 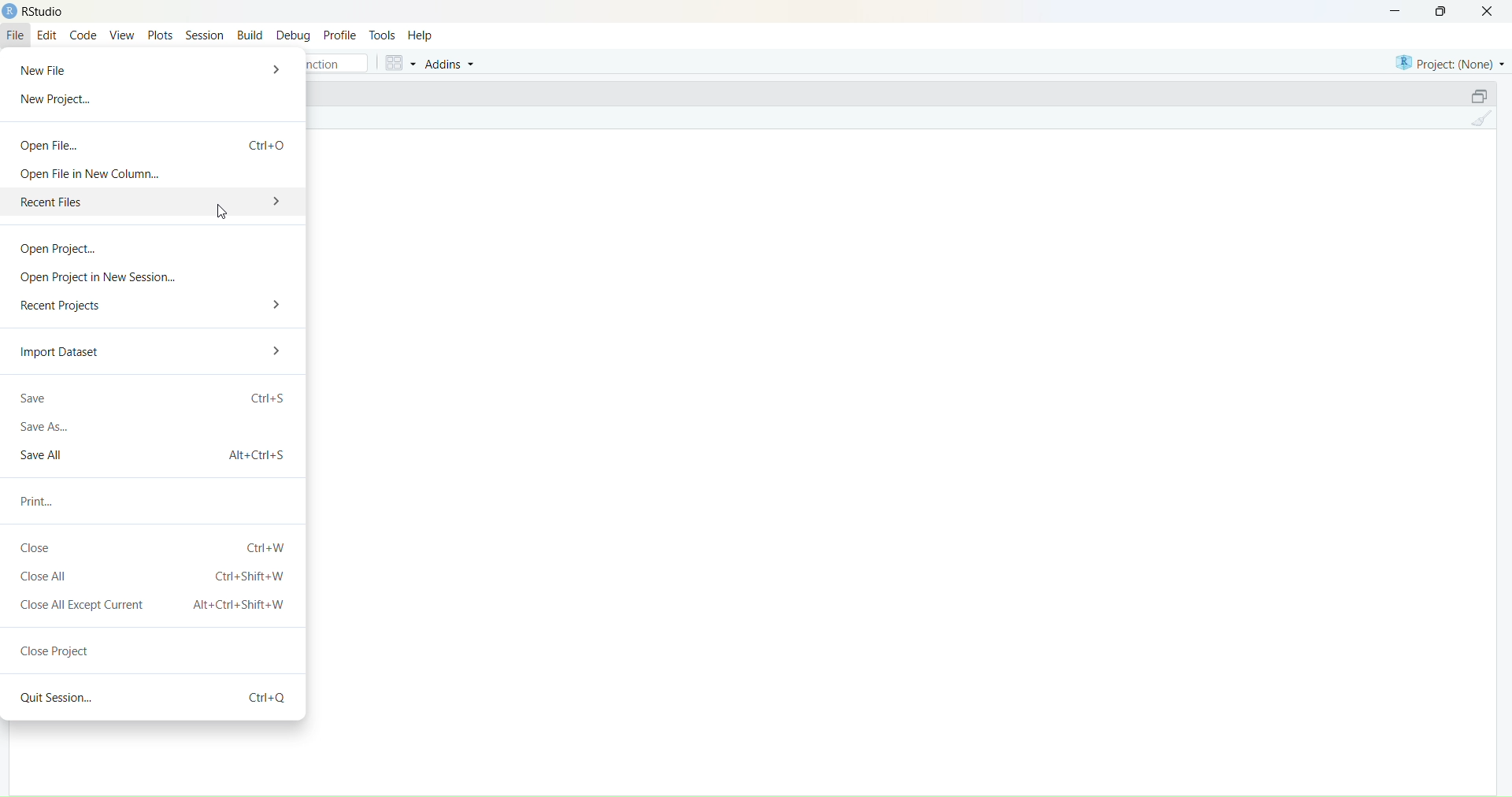 What do you see at coordinates (1488, 13) in the screenshot?
I see `Close` at bounding box center [1488, 13].